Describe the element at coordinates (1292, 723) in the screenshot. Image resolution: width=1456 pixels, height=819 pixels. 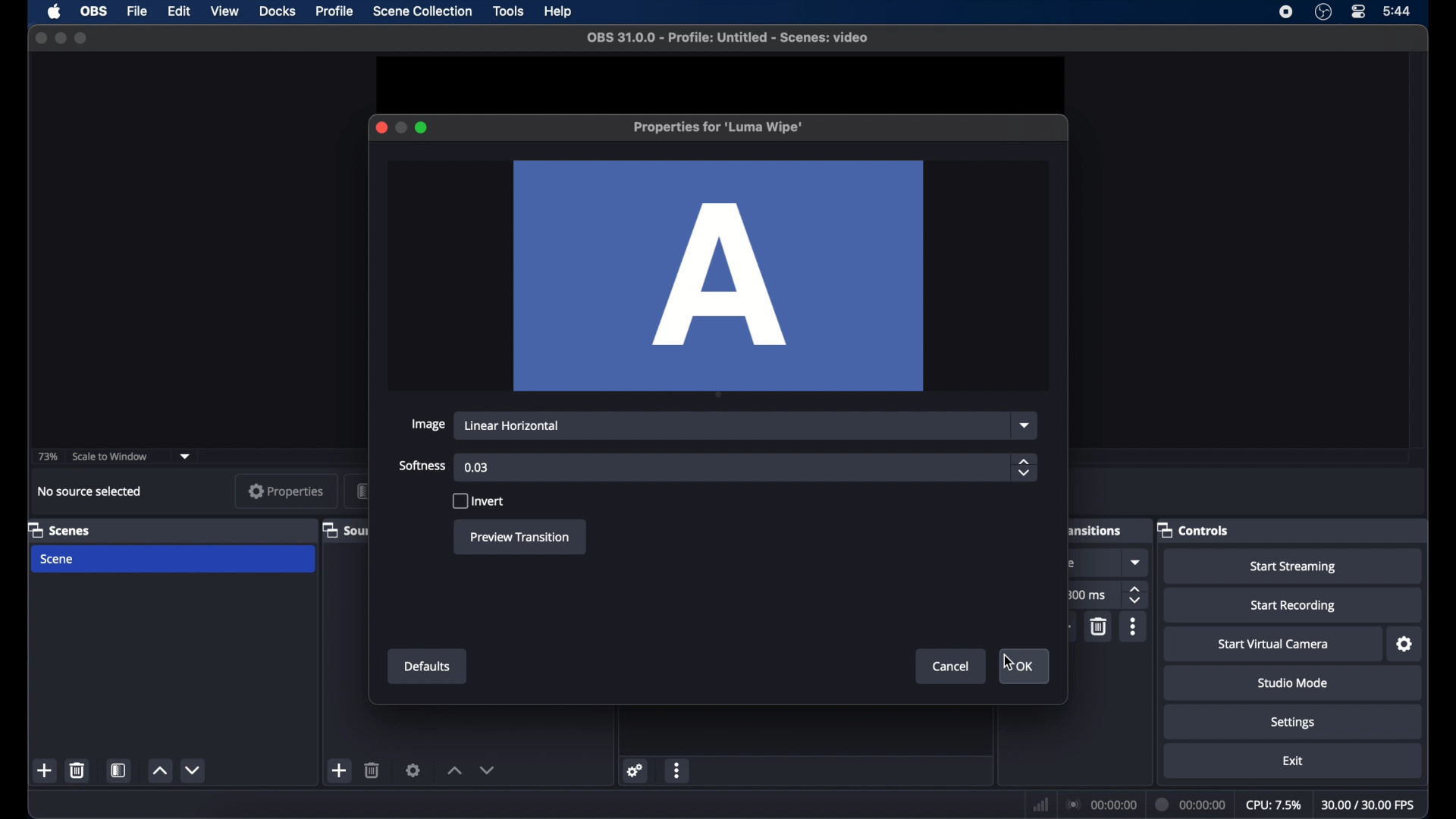
I see `settings` at that location.